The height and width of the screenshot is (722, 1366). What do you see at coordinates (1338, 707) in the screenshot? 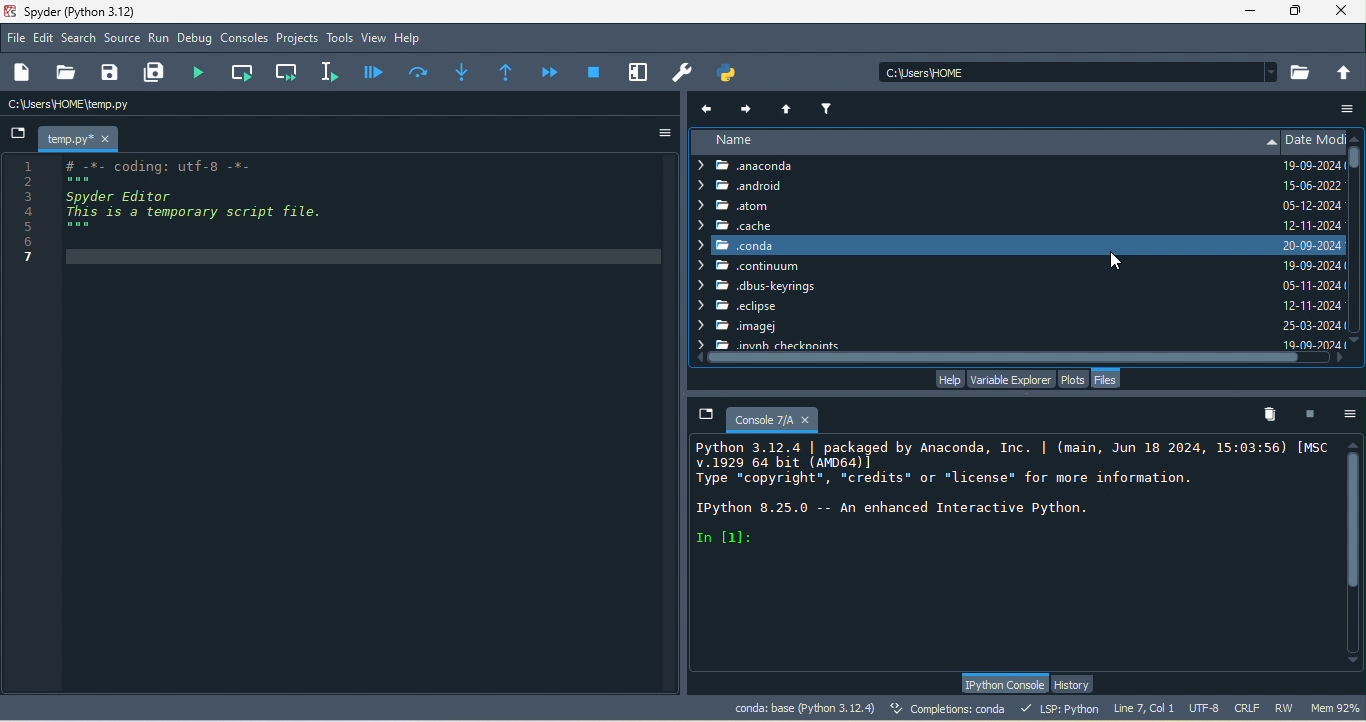
I see `men 91%` at bounding box center [1338, 707].